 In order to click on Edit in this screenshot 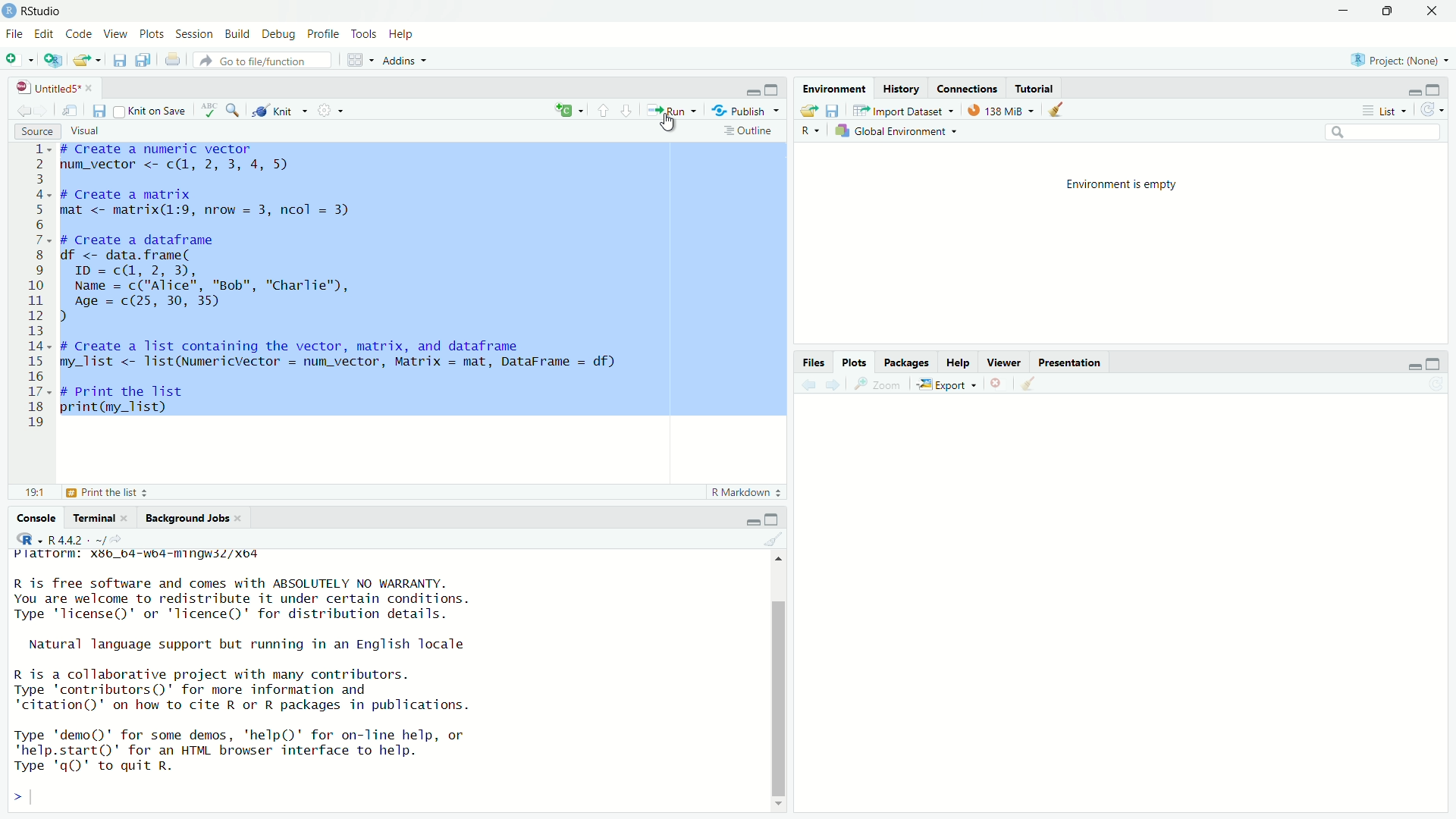, I will do `click(44, 34)`.